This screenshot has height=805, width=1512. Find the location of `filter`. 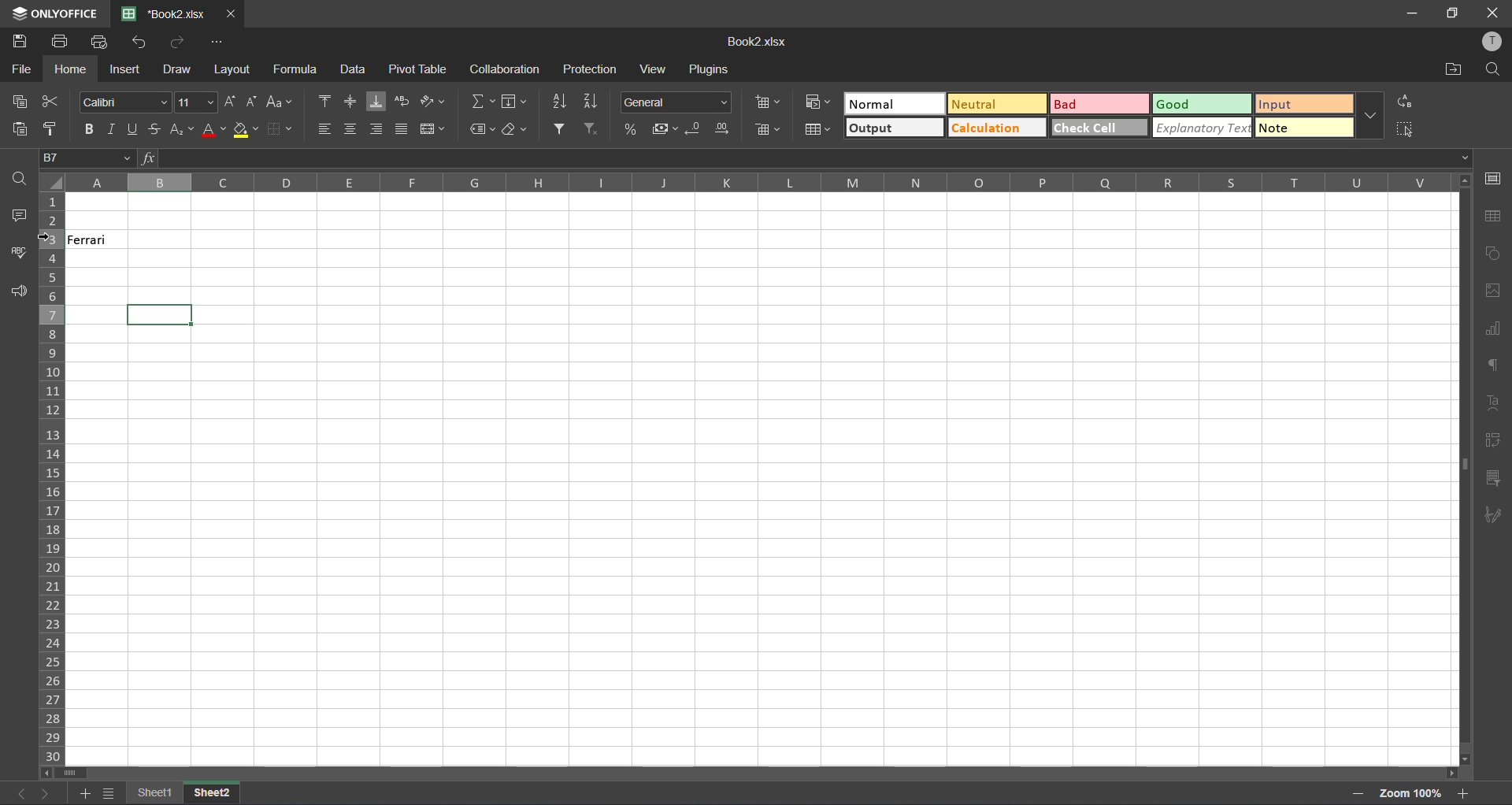

filter is located at coordinates (561, 128).